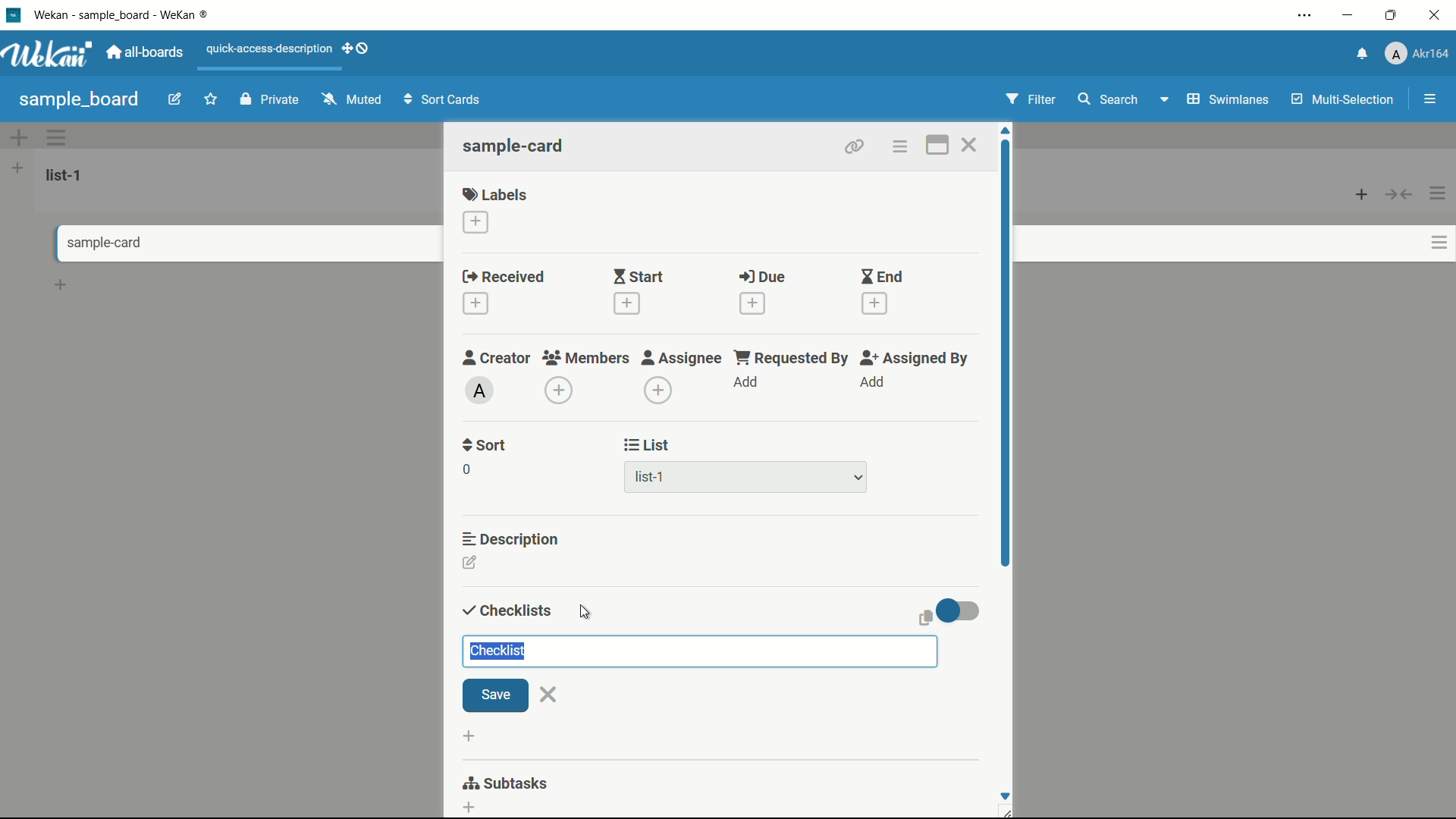 This screenshot has height=819, width=1456. I want to click on requested by, so click(792, 357).